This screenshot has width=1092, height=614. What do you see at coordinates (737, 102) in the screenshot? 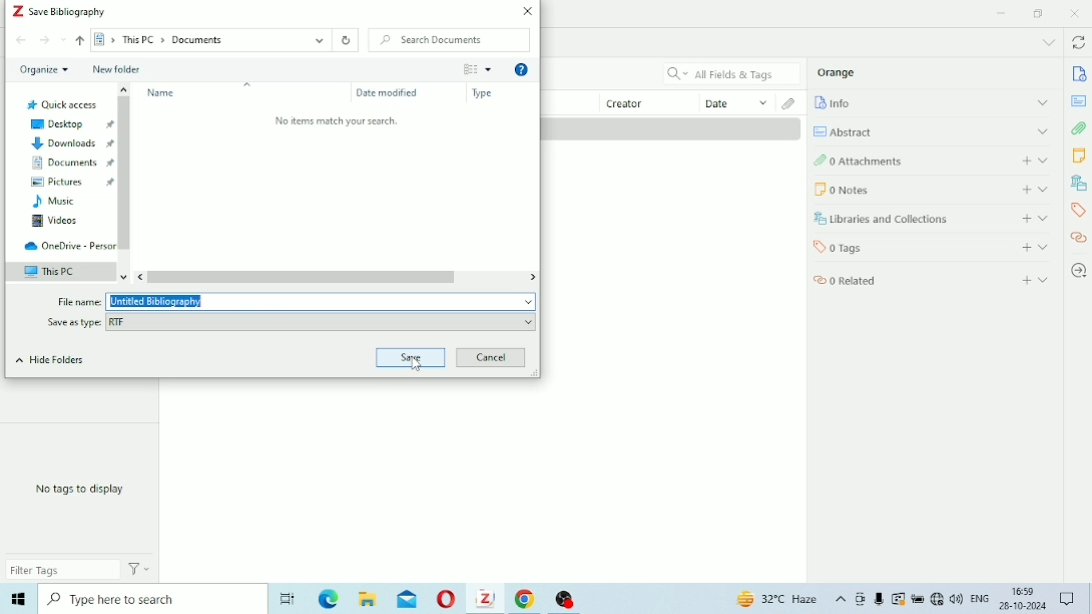
I see `Date` at bounding box center [737, 102].